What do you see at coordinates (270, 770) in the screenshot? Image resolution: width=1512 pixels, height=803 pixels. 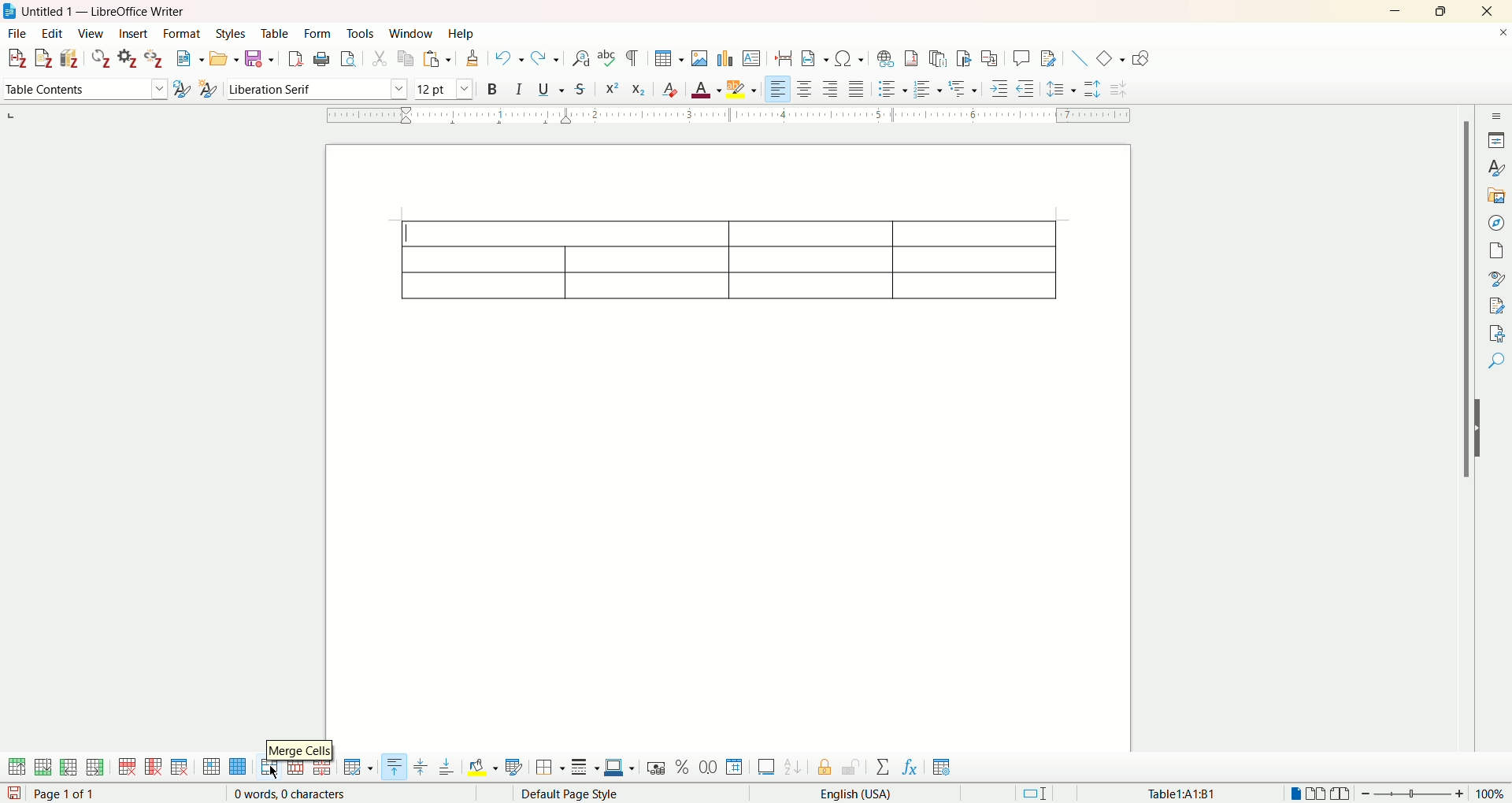 I see `merge cells` at bounding box center [270, 770].